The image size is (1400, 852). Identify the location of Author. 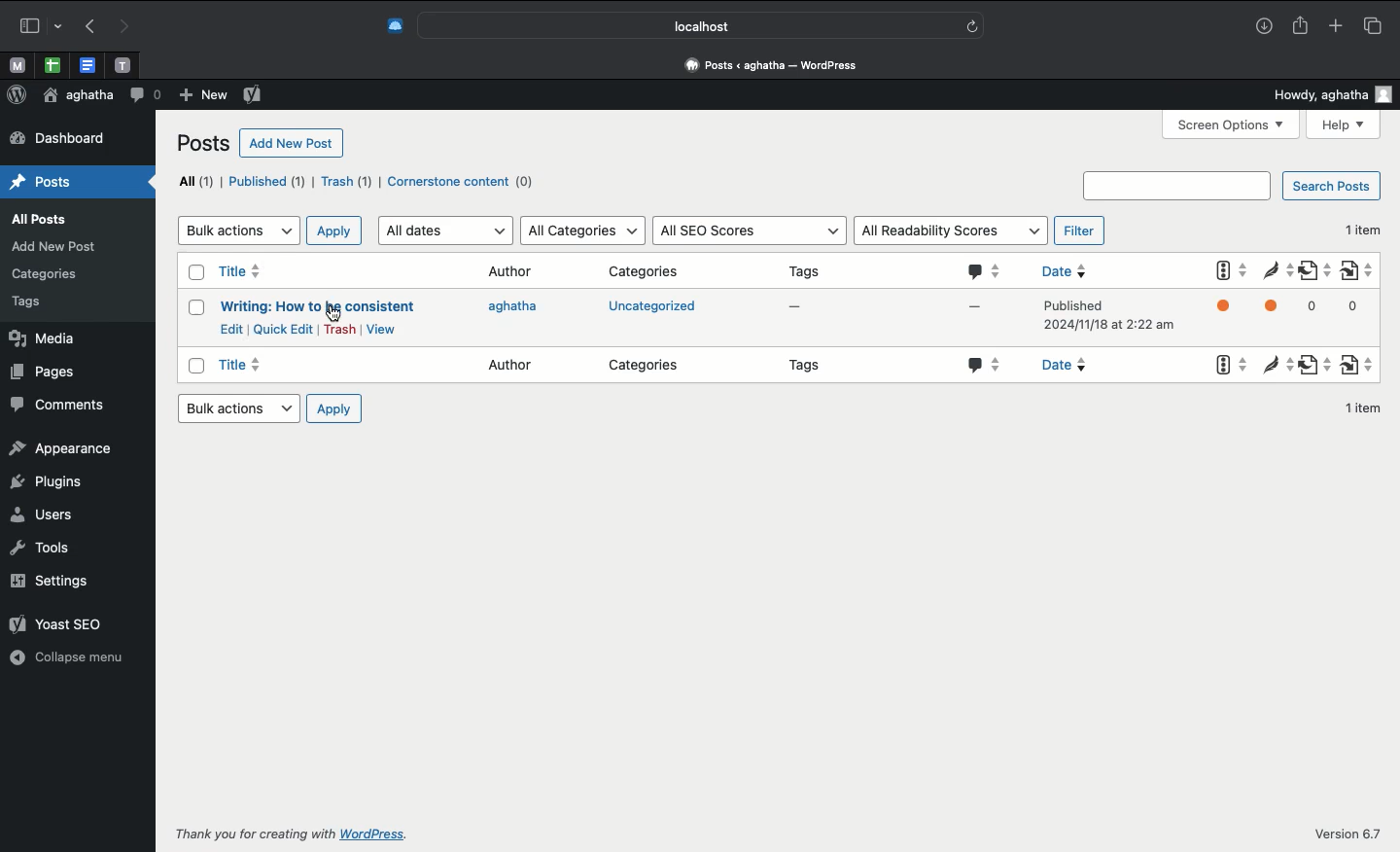
(512, 269).